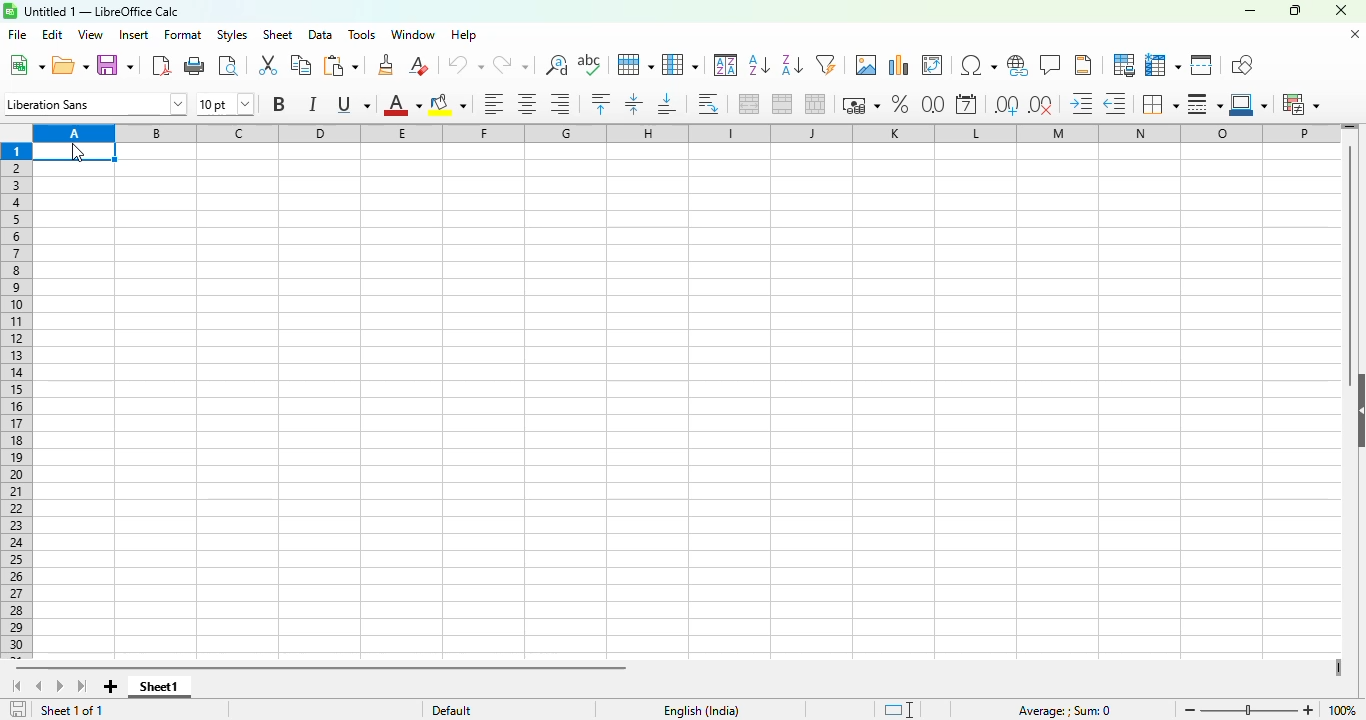 The image size is (1366, 720). I want to click on window, so click(414, 34).